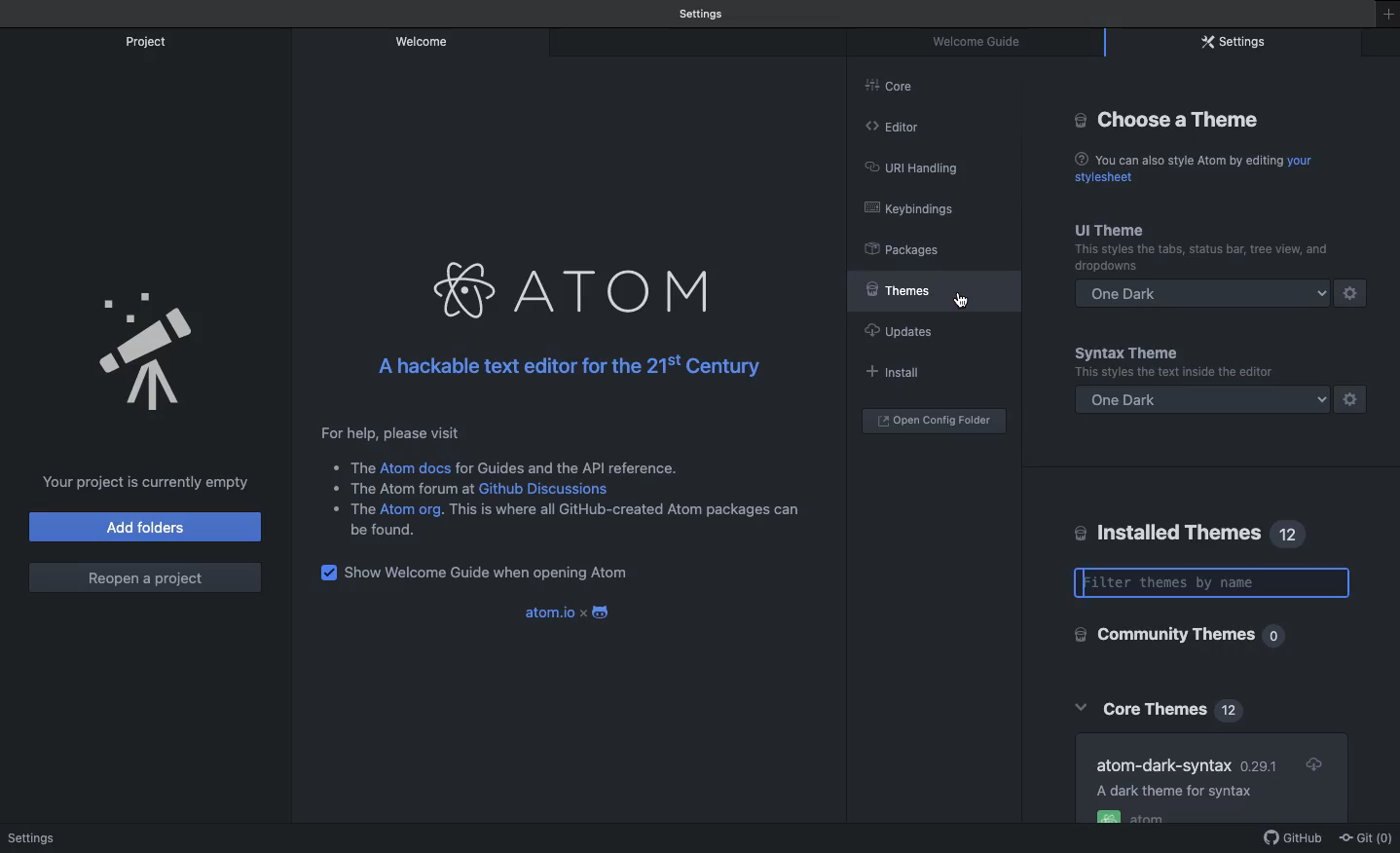  What do you see at coordinates (618, 289) in the screenshot?
I see `Atom` at bounding box center [618, 289].